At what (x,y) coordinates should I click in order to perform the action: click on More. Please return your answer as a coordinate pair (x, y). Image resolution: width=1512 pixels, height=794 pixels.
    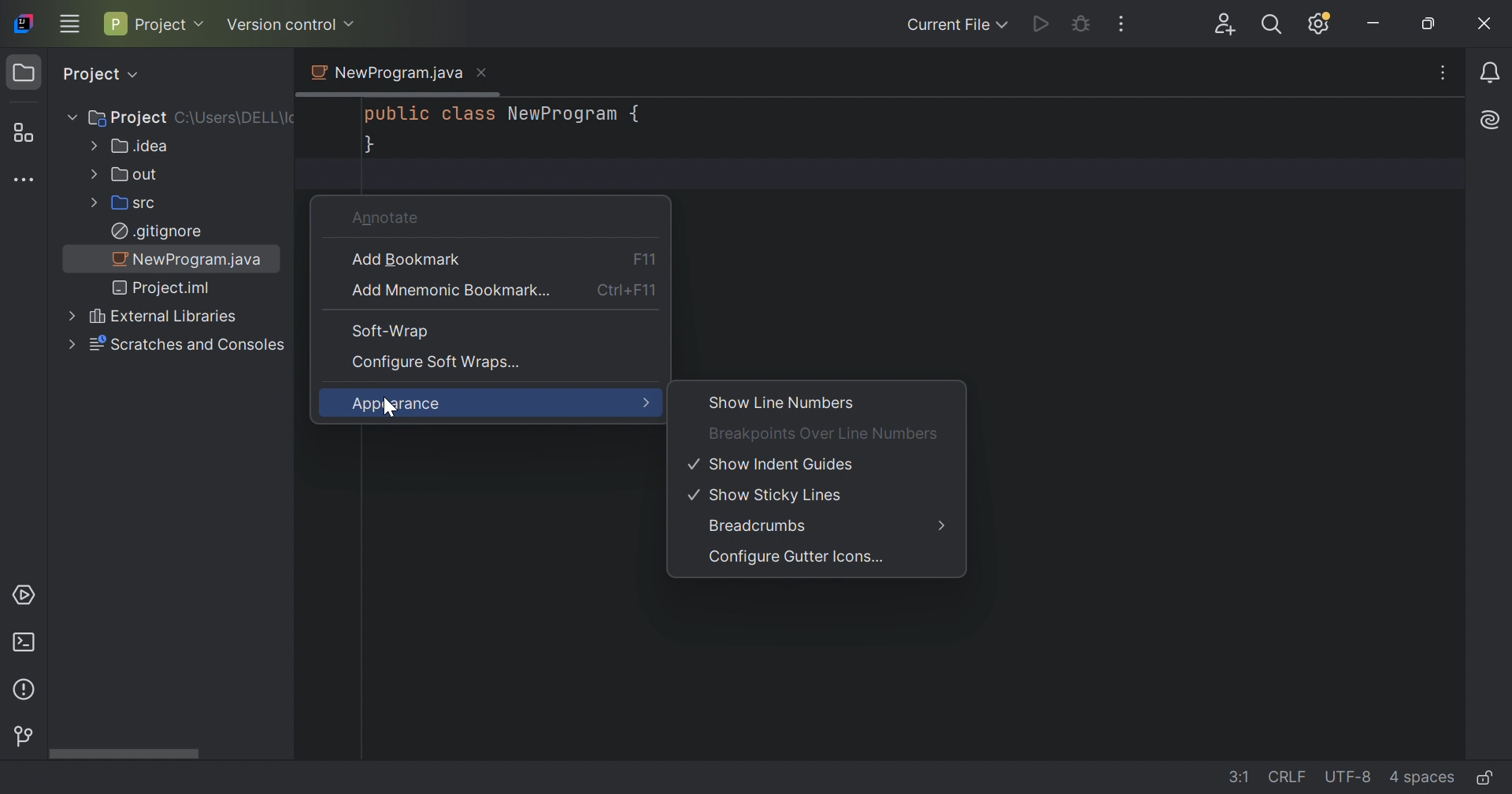
    Looking at the image, I should click on (943, 525).